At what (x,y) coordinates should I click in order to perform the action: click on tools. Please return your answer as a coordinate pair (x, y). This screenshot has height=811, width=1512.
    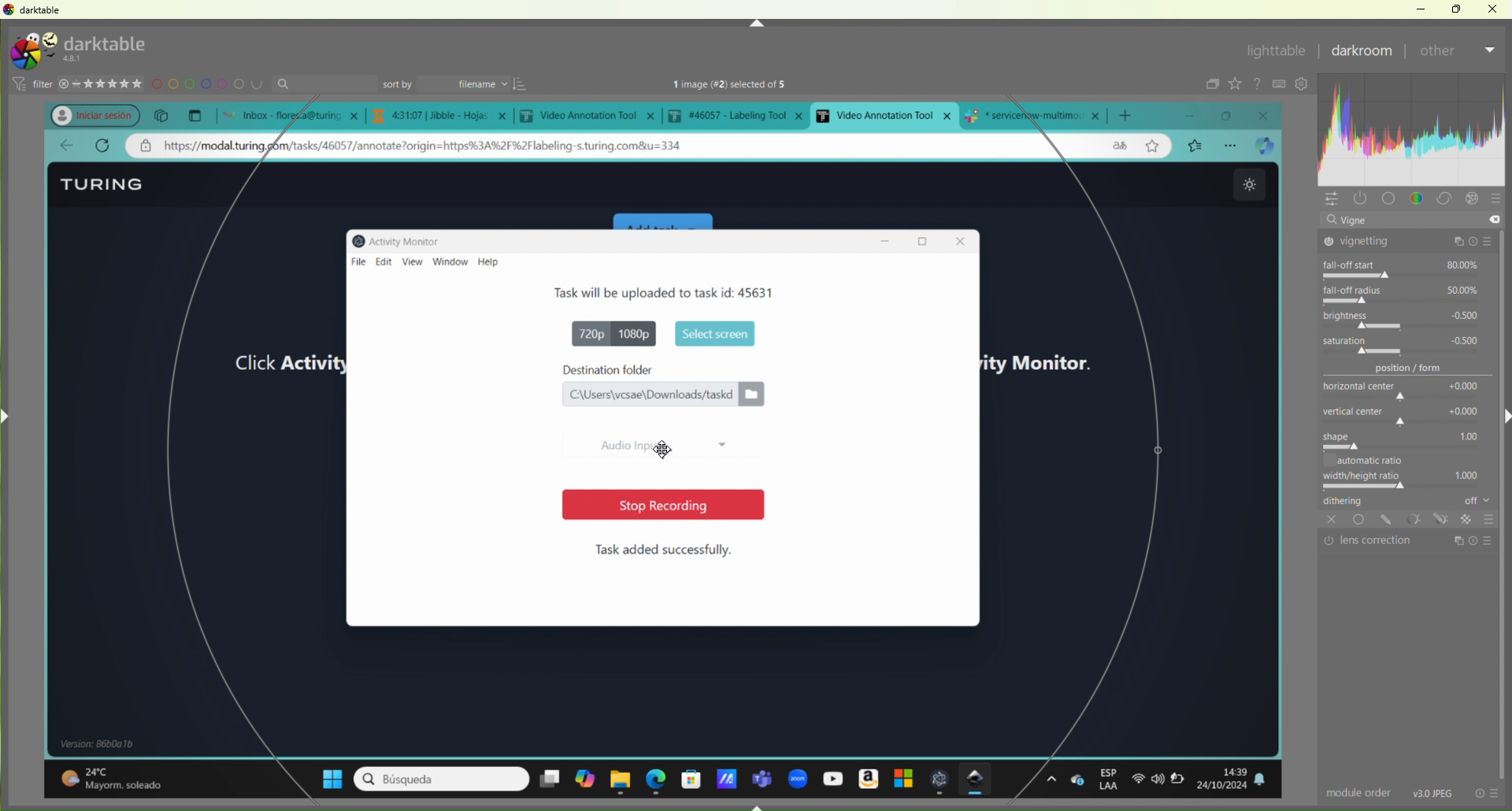
    Looking at the image, I should click on (1395, 520).